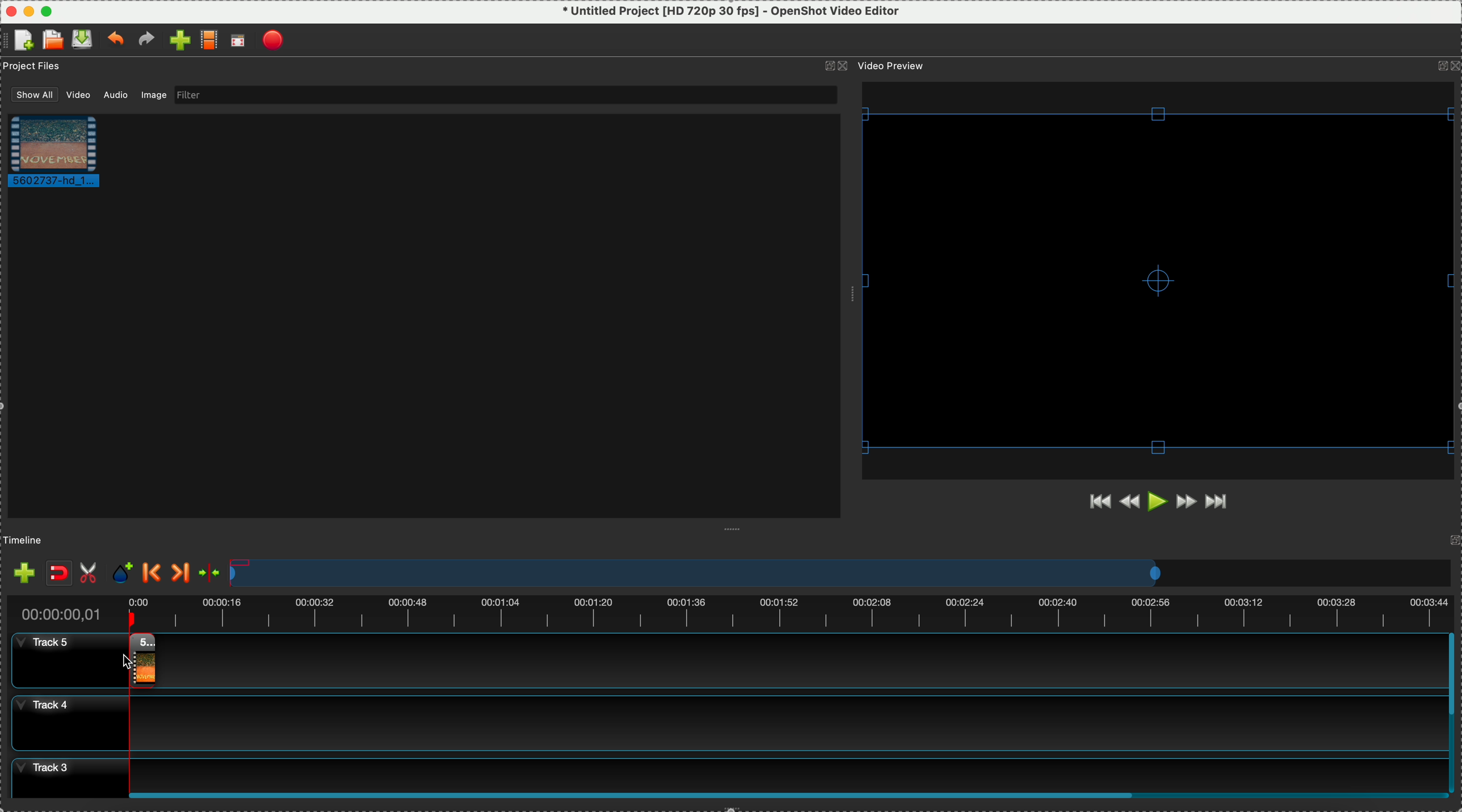 This screenshot has height=812, width=1462. I want to click on track 3, so click(720, 771).